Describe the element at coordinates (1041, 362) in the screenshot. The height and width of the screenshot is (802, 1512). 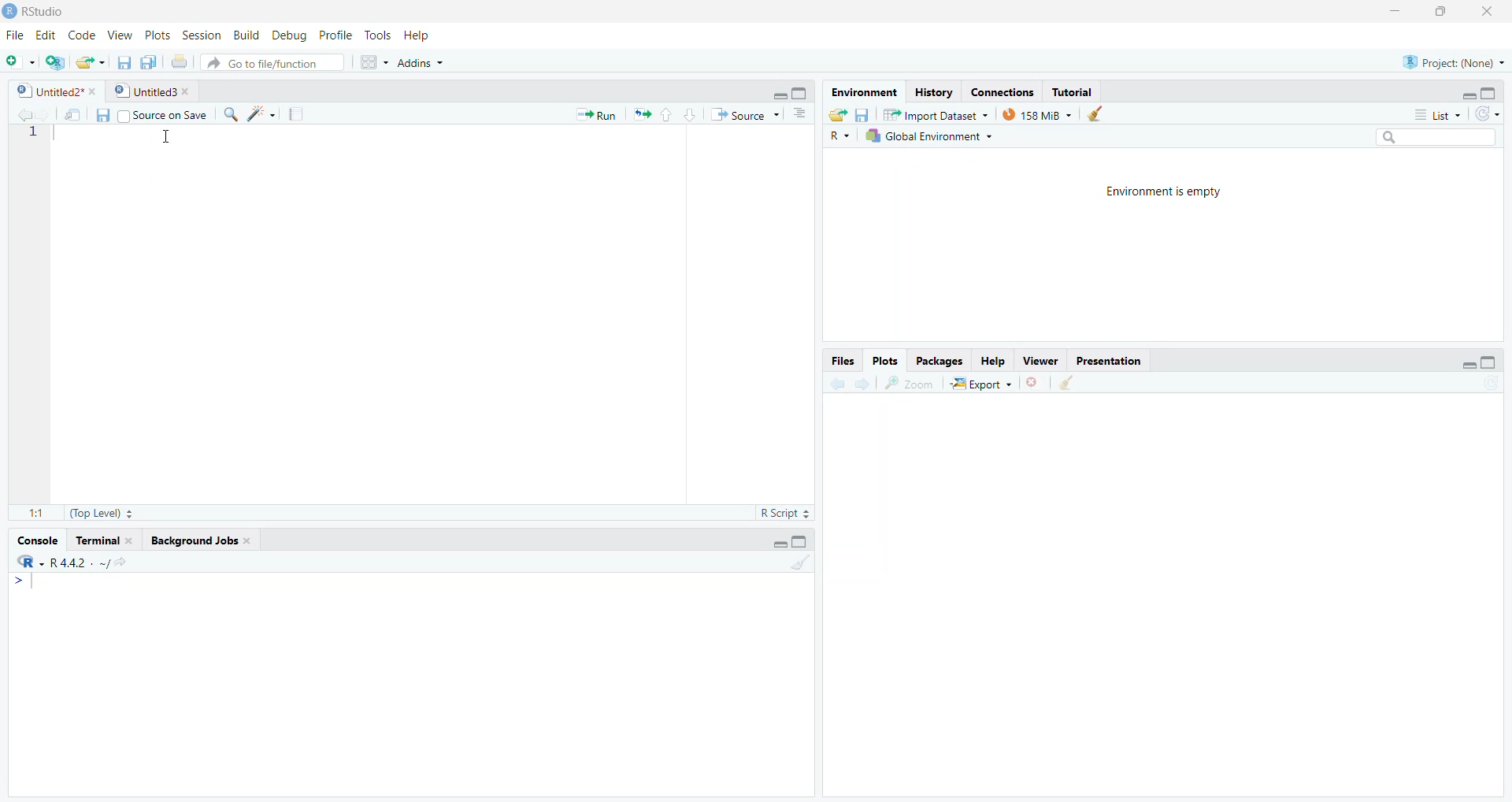
I see ` Viewer` at that location.